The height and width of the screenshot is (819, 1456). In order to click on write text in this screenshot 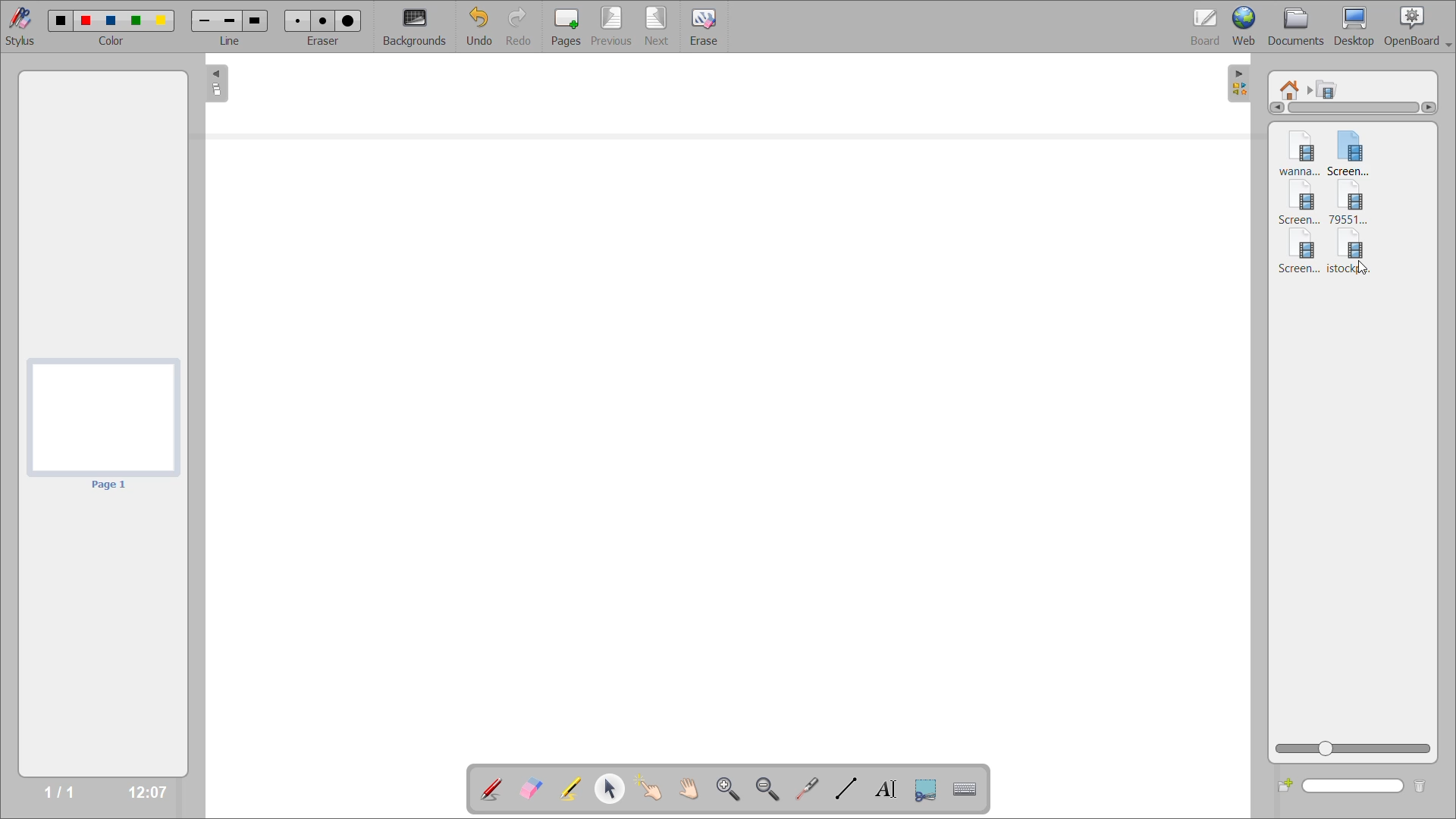, I will do `click(883, 790)`.